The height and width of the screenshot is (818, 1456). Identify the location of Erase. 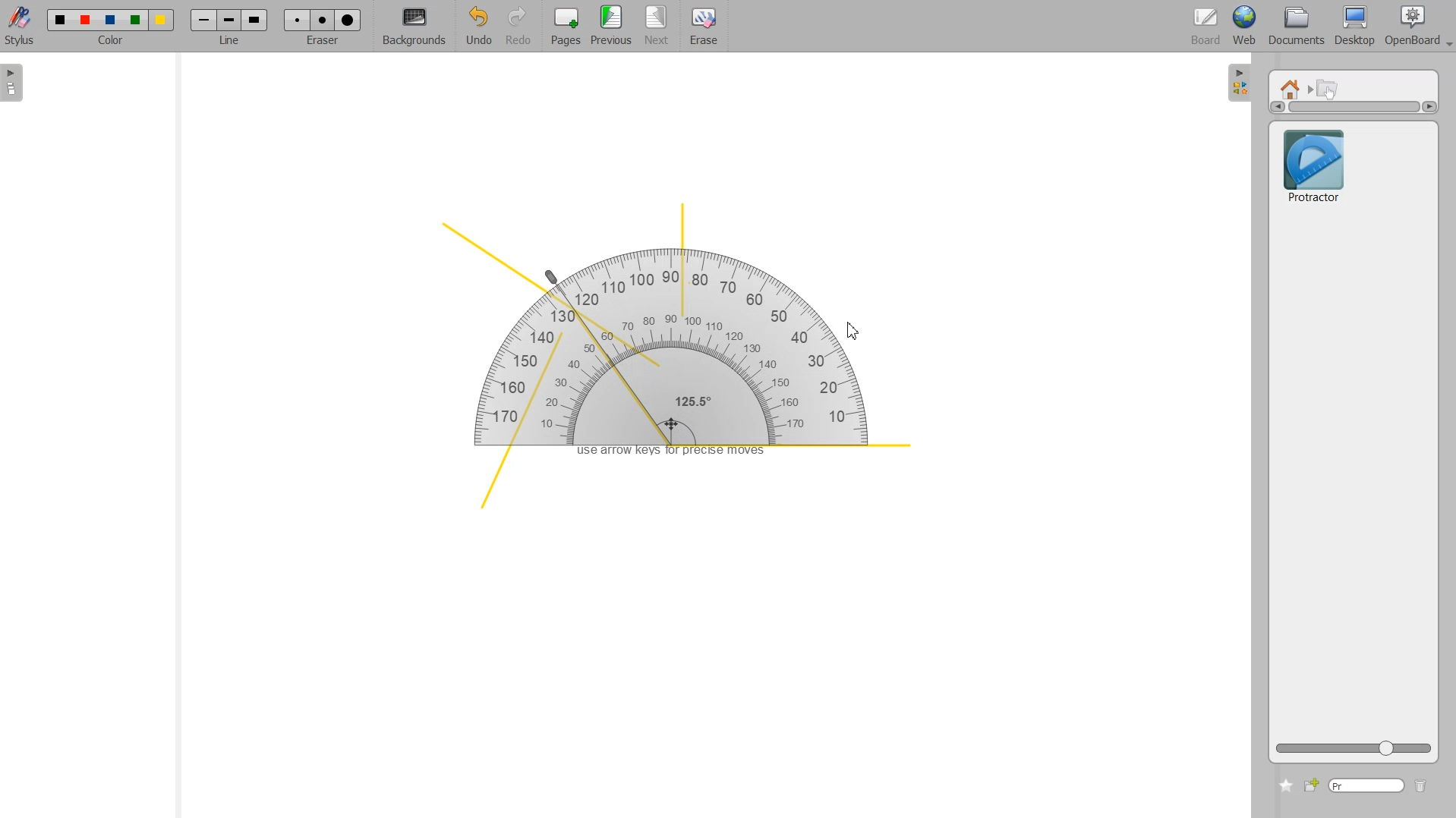
(322, 20).